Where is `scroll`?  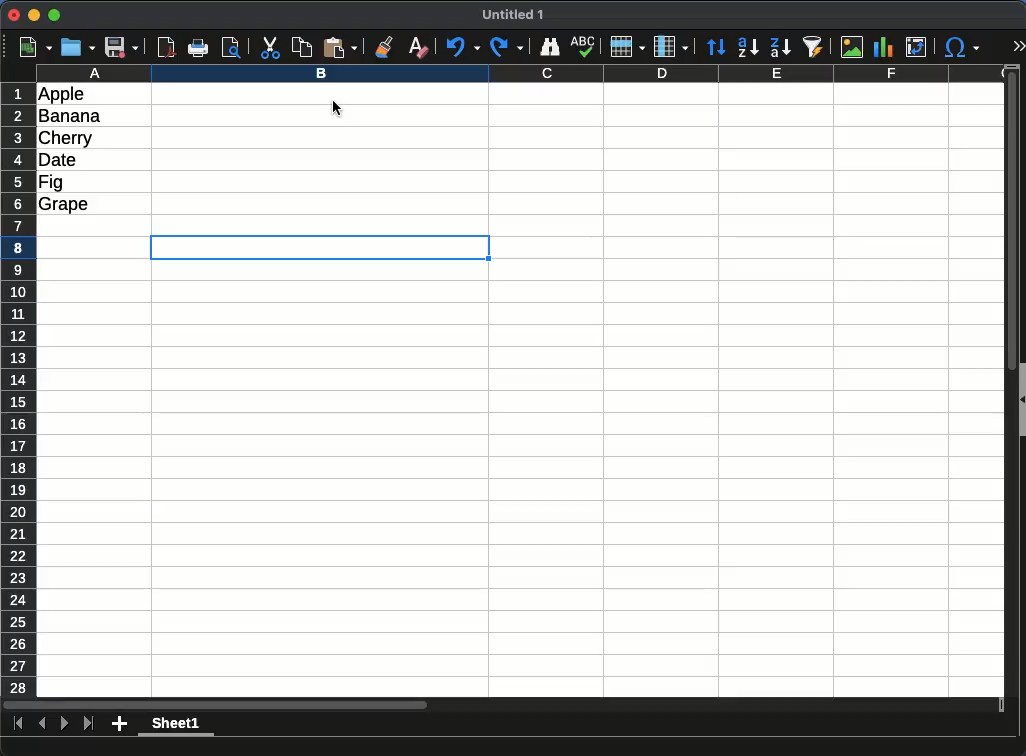 scroll is located at coordinates (503, 705).